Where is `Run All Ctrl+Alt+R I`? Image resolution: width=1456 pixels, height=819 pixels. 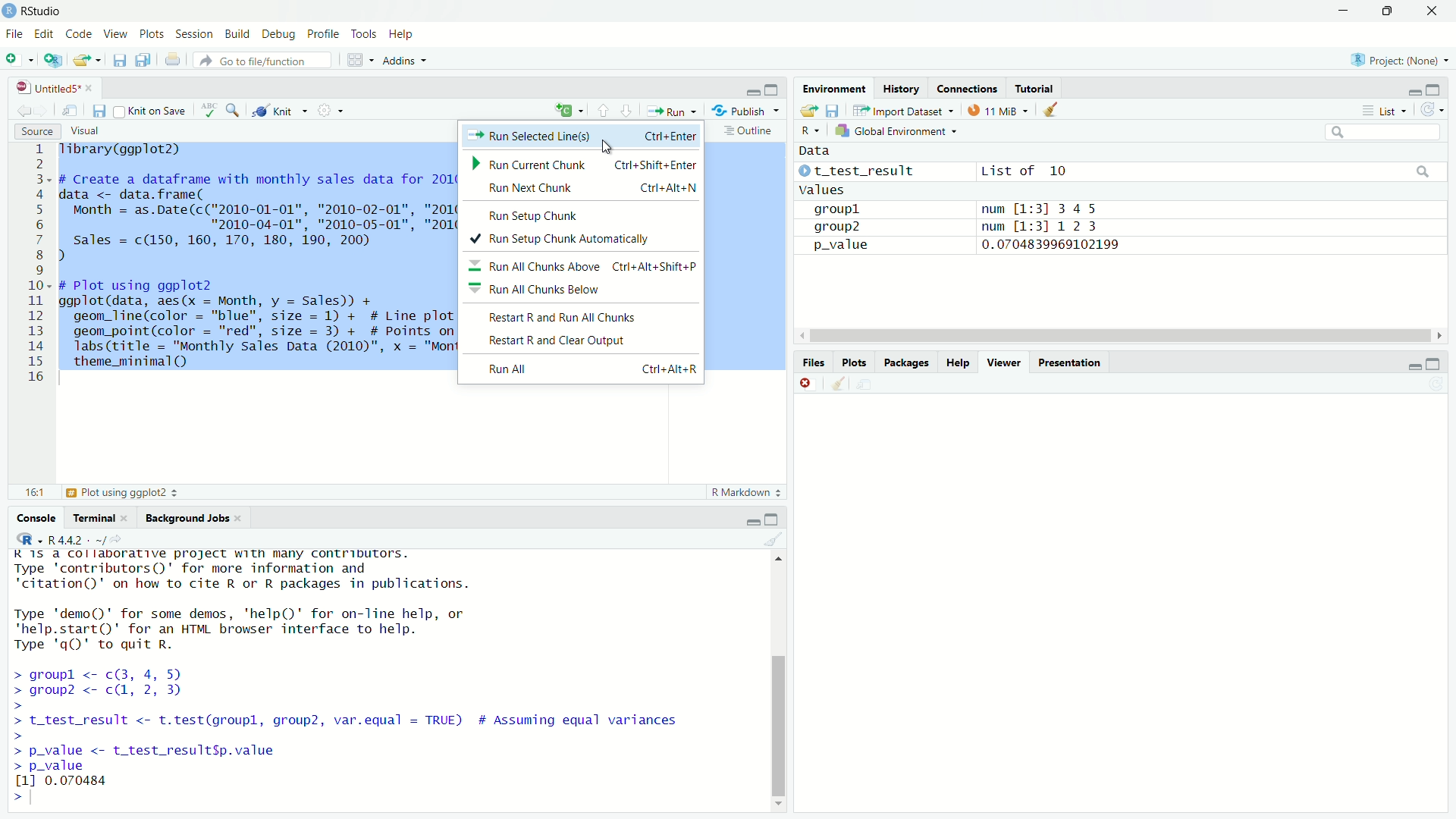
Run All Ctrl+Alt+R I is located at coordinates (595, 369).